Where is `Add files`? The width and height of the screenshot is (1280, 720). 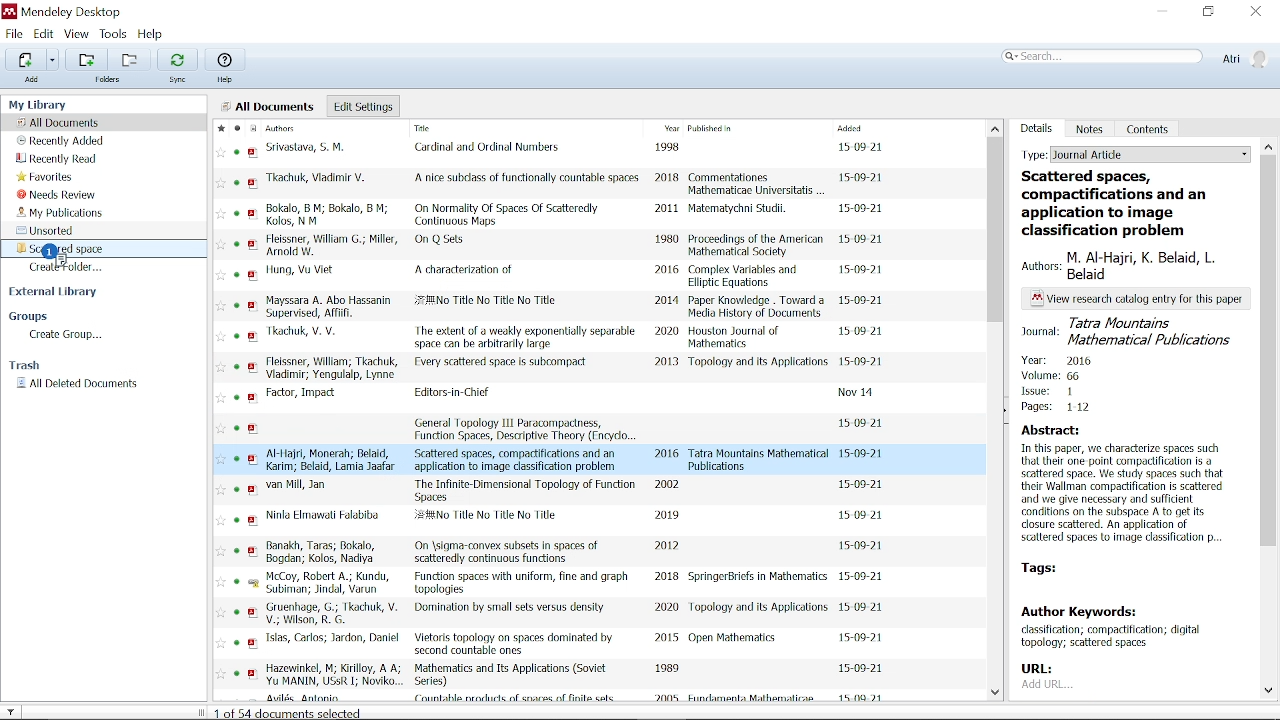 Add files is located at coordinates (25, 59).